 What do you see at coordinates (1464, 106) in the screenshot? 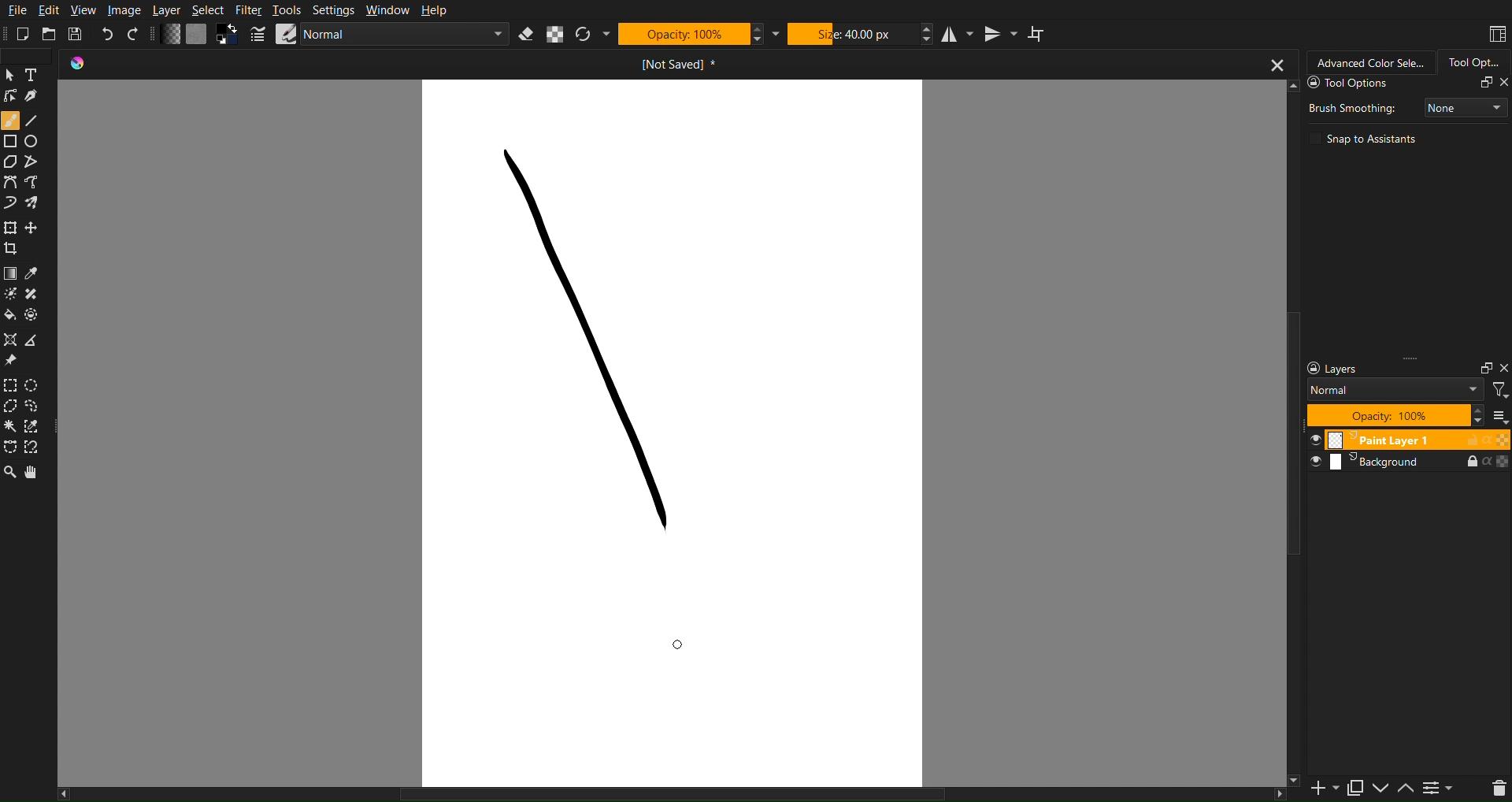
I see `None` at bounding box center [1464, 106].